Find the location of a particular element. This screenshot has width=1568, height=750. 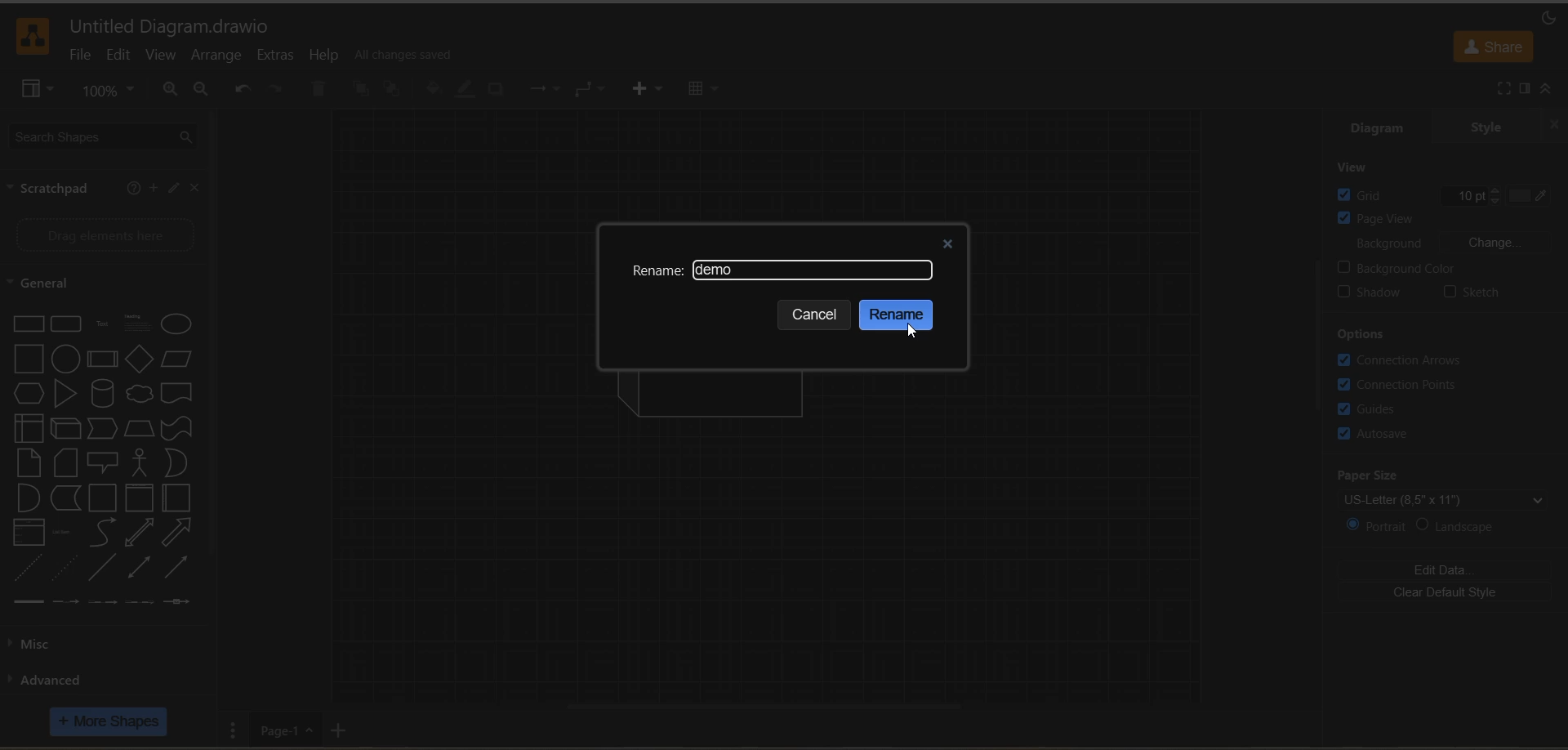

guides is located at coordinates (1374, 408).